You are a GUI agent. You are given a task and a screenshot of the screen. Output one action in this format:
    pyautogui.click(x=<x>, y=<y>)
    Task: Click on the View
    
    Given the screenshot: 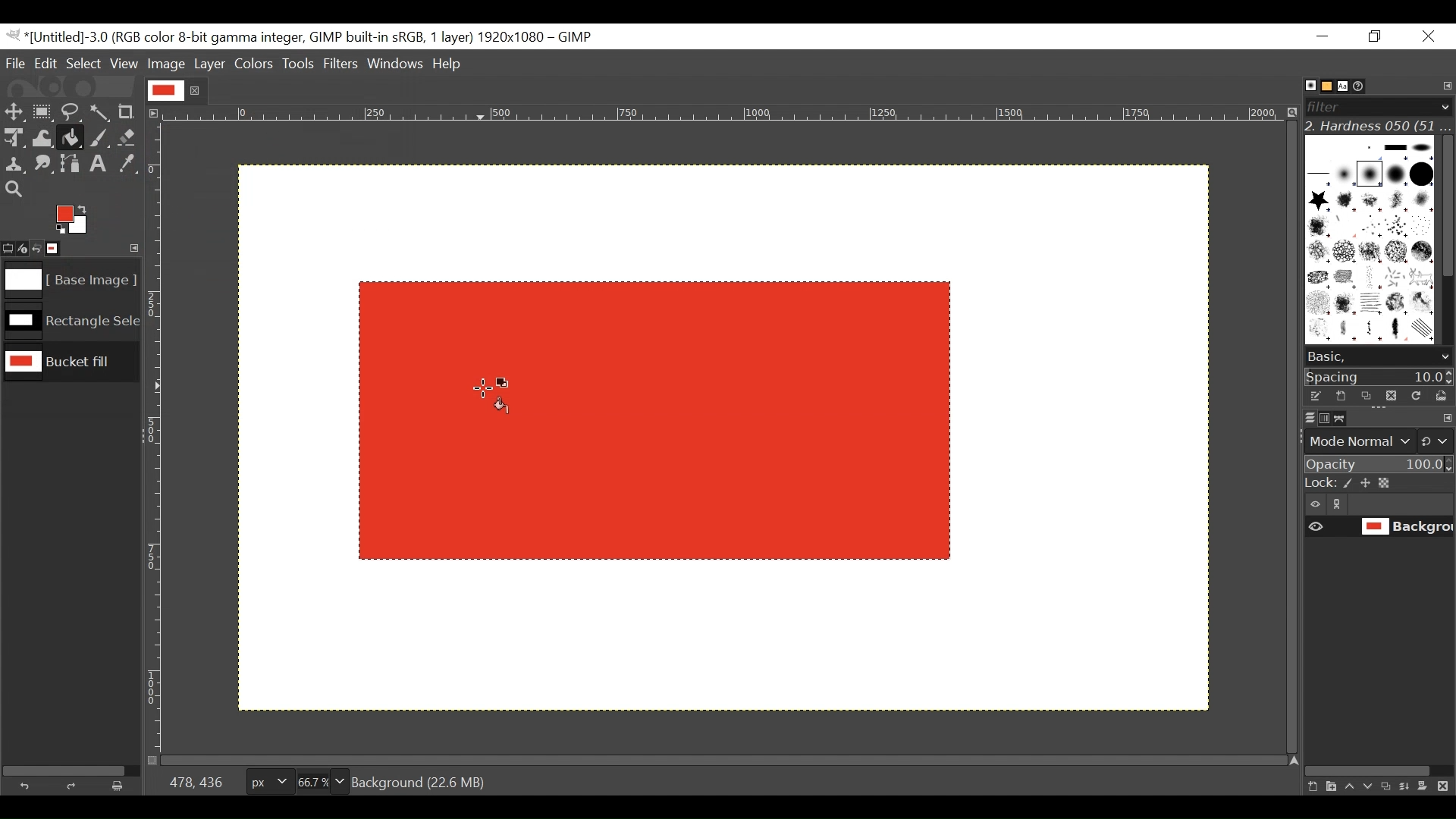 What is the action you would take?
    pyautogui.click(x=124, y=64)
    